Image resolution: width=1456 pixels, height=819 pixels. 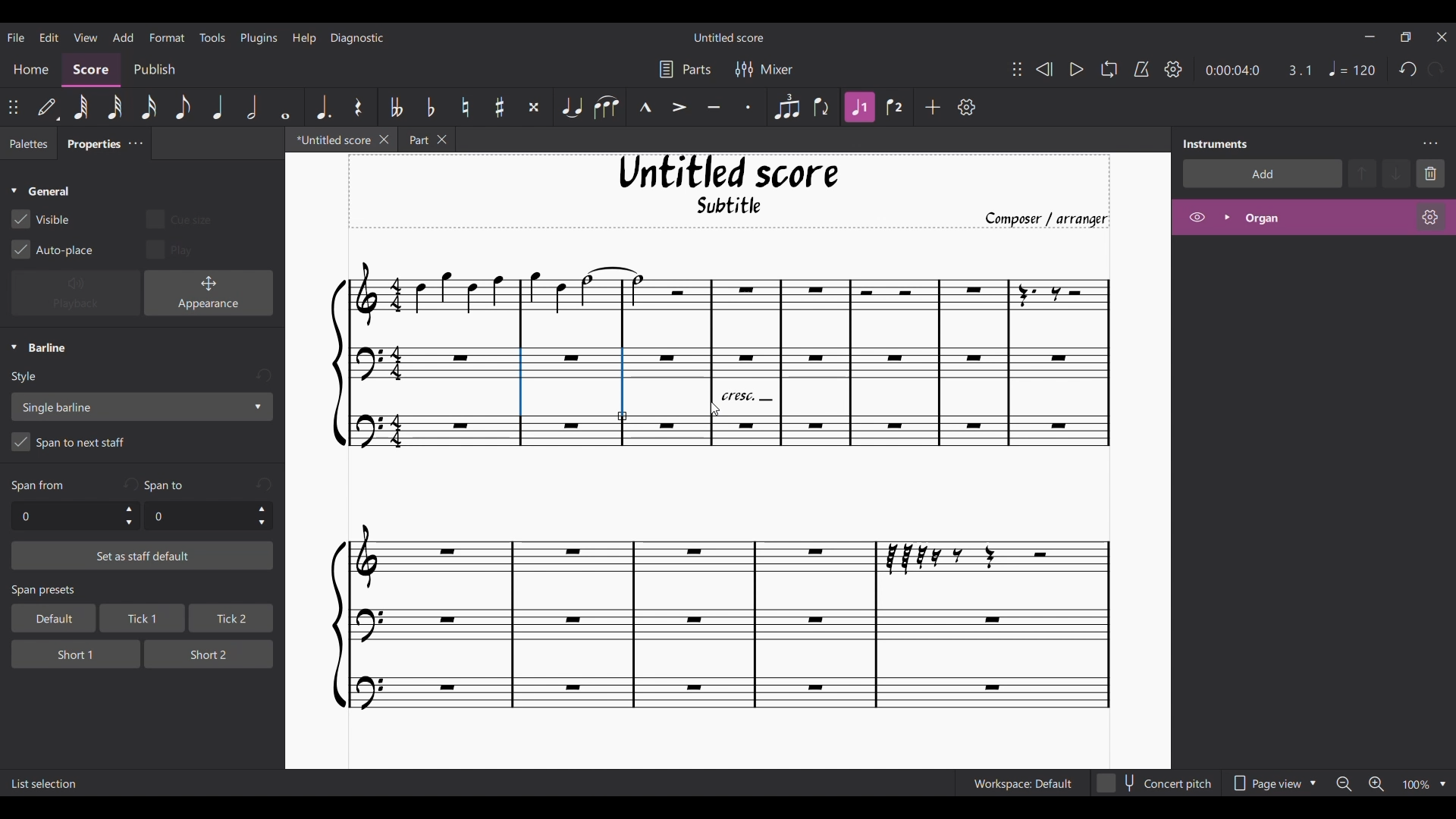 What do you see at coordinates (967, 107) in the screenshot?
I see `Customize toolbar` at bounding box center [967, 107].